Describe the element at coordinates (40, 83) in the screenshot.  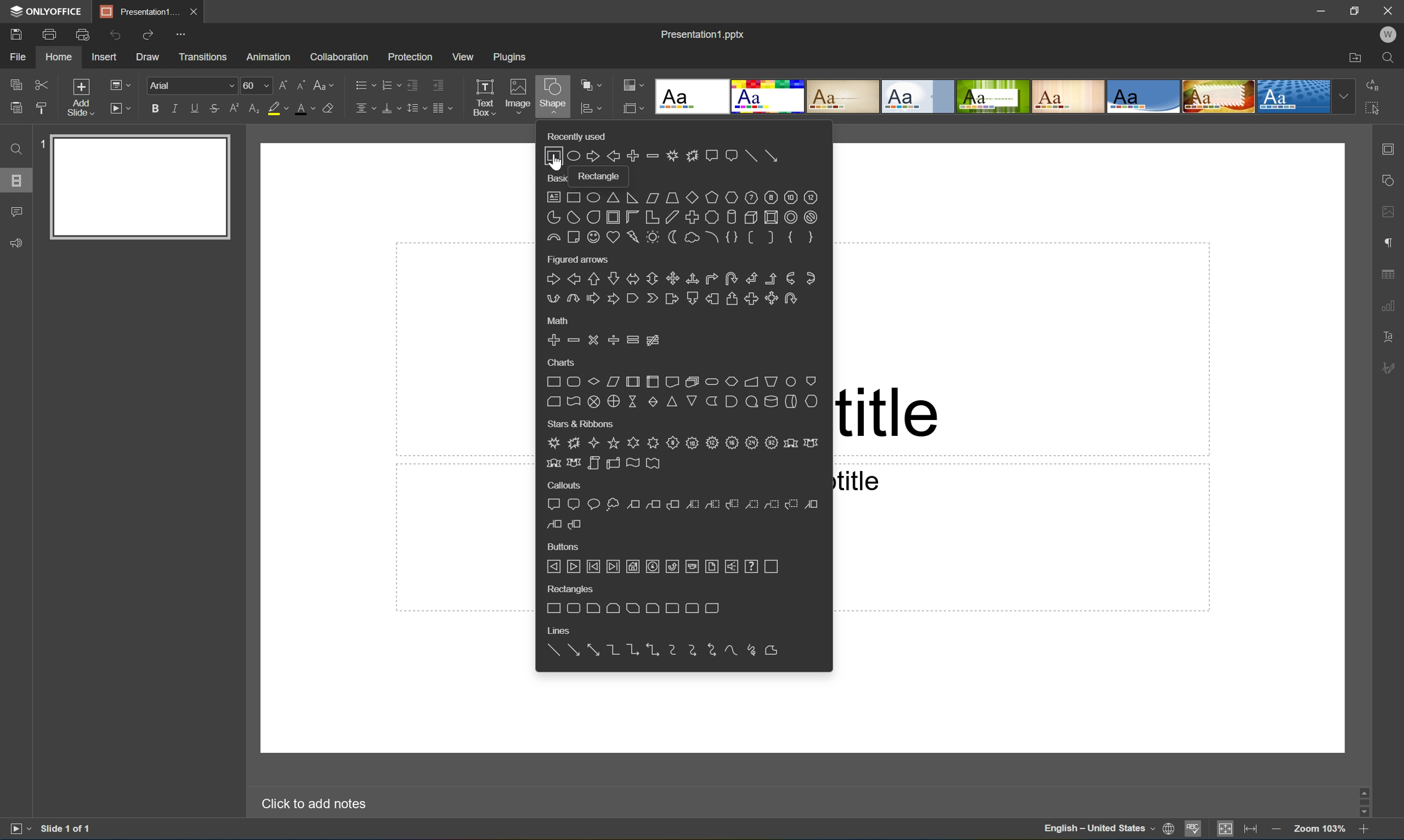
I see `Cut` at that location.